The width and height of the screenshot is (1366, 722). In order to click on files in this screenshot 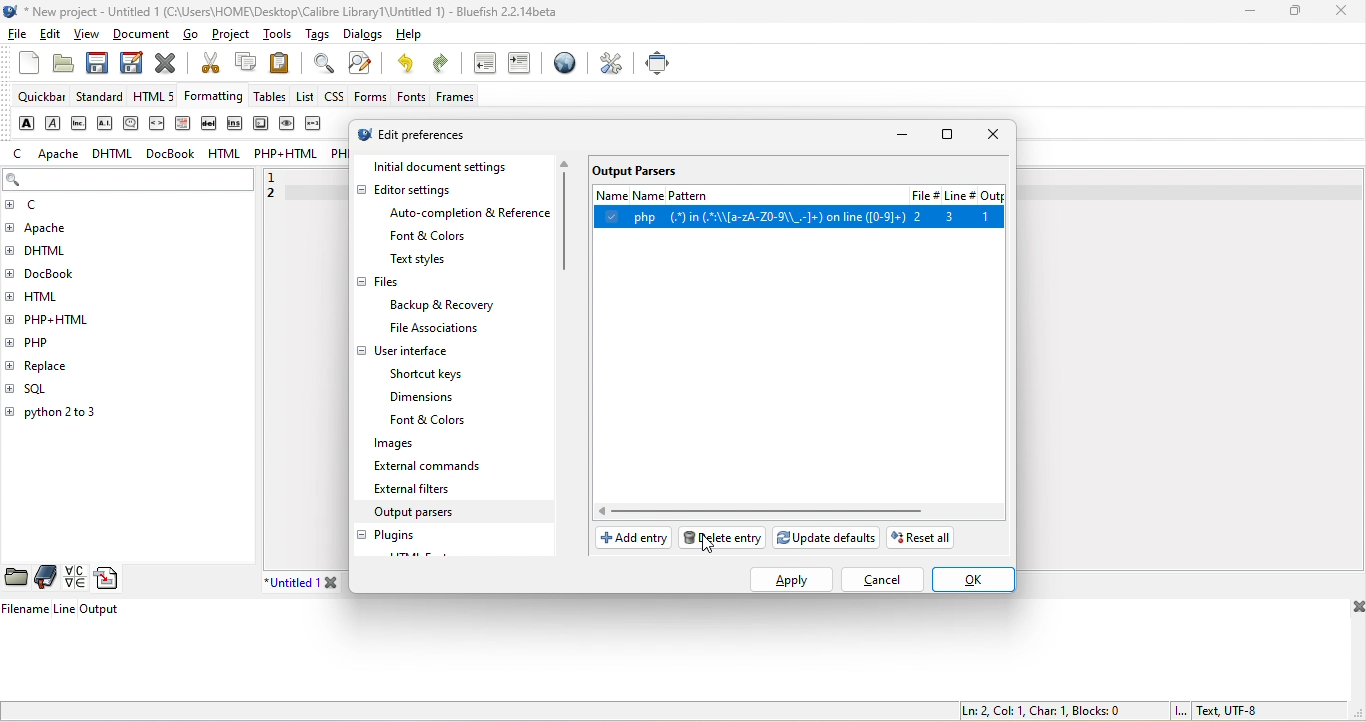, I will do `click(380, 284)`.